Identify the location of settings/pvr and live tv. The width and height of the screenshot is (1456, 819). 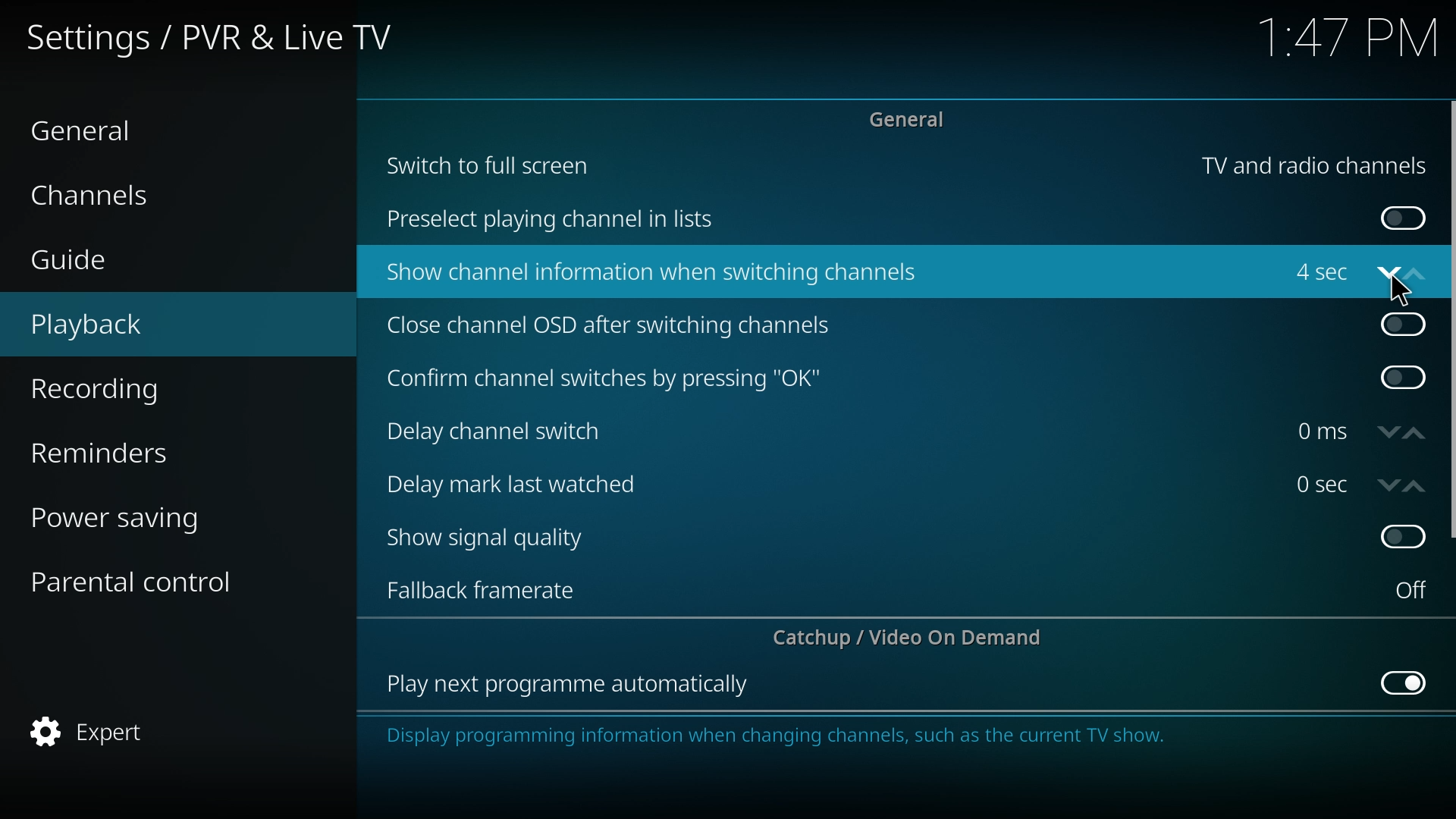
(221, 36).